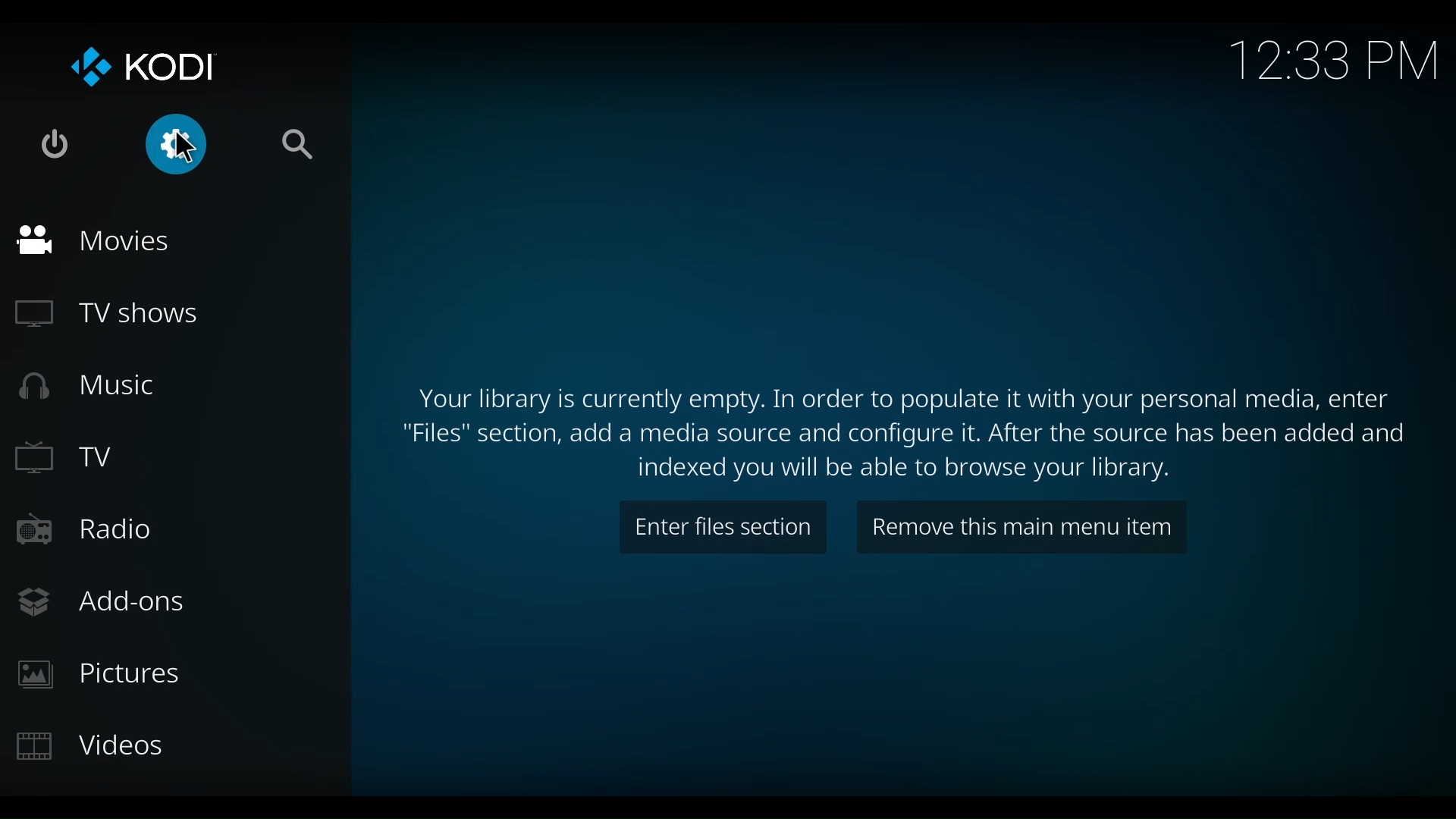 Image resolution: width=1456 pixels, height=819 pixels. What do you see at coordinates (94, 747) in the screenshot?
I see `Viseos` at bounding box center [94, 747].